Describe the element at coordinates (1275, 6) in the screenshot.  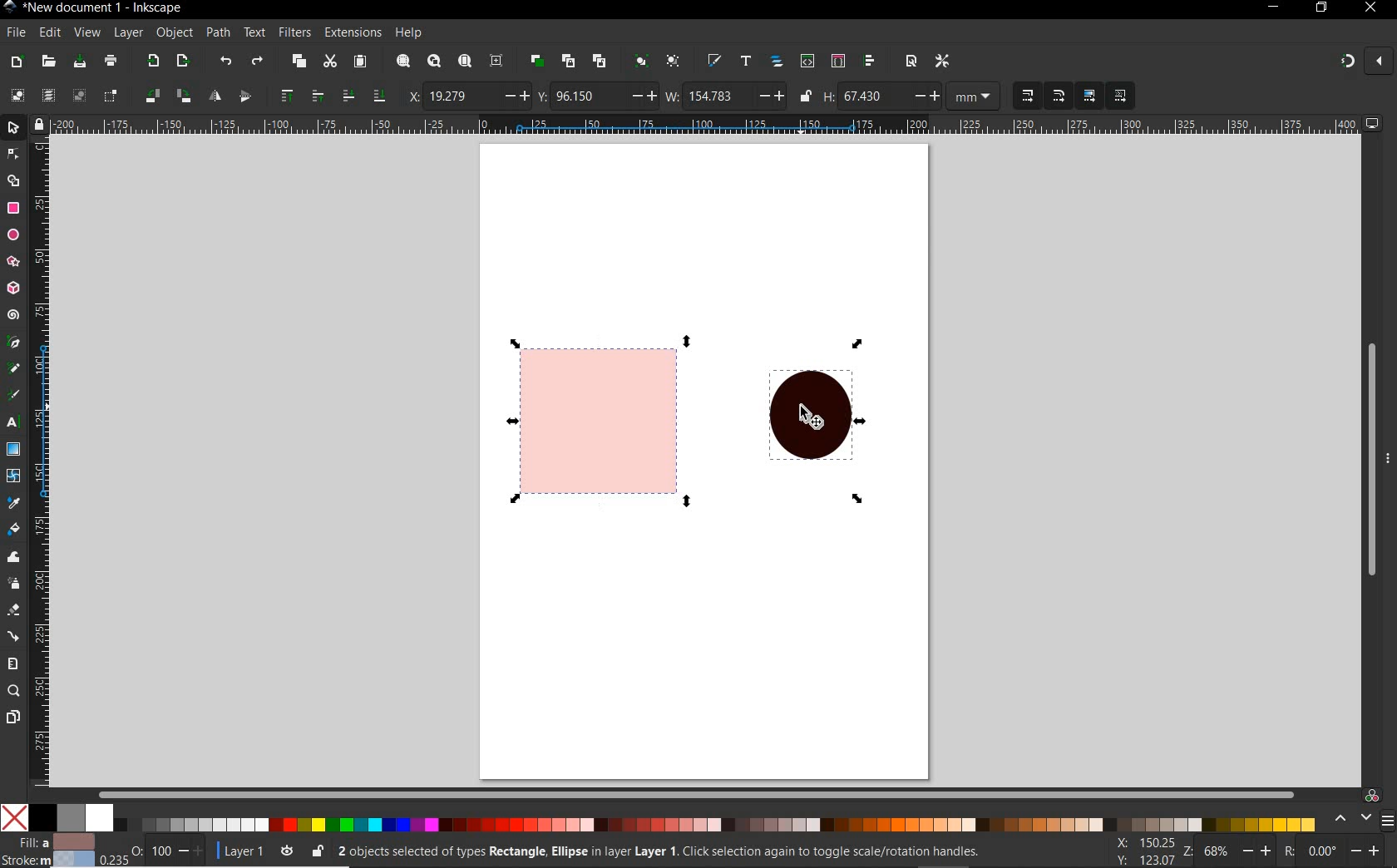
I see `minimize` at that location.